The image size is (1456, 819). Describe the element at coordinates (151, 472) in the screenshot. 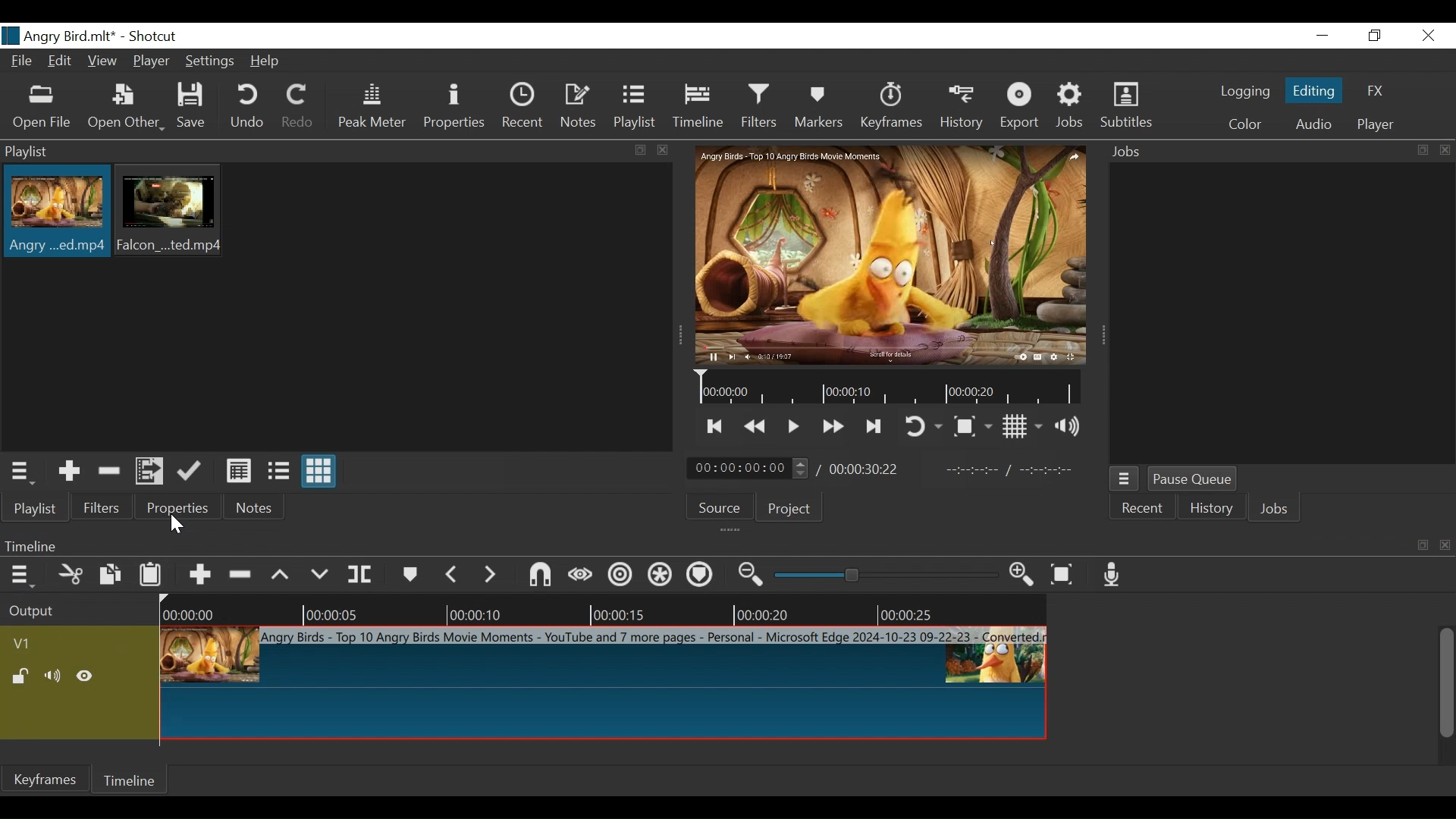

I see `Add files to the playlist` at that location.